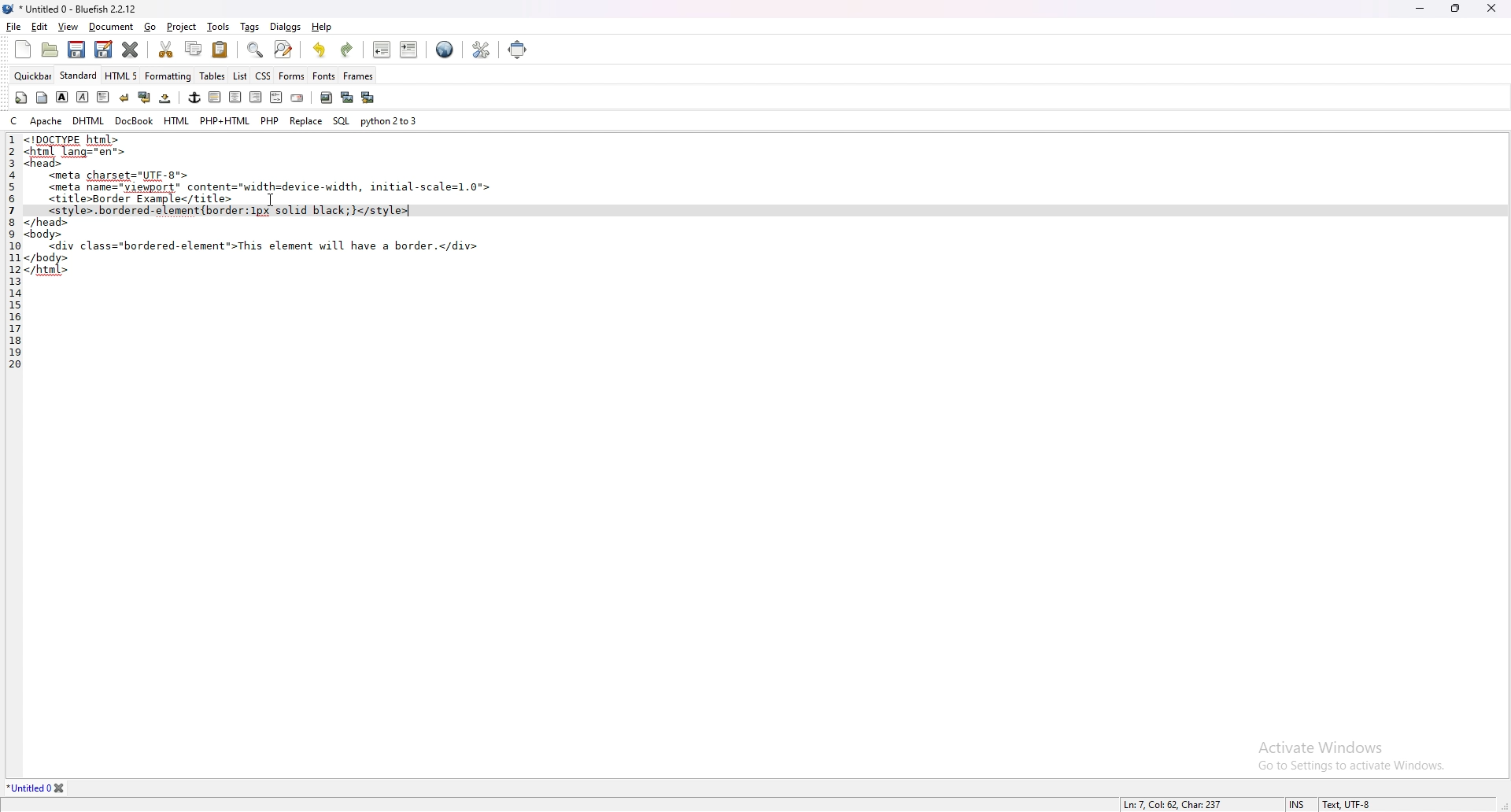 The image size is (1511, 812). I want to click on formatting, so click(168, 76).